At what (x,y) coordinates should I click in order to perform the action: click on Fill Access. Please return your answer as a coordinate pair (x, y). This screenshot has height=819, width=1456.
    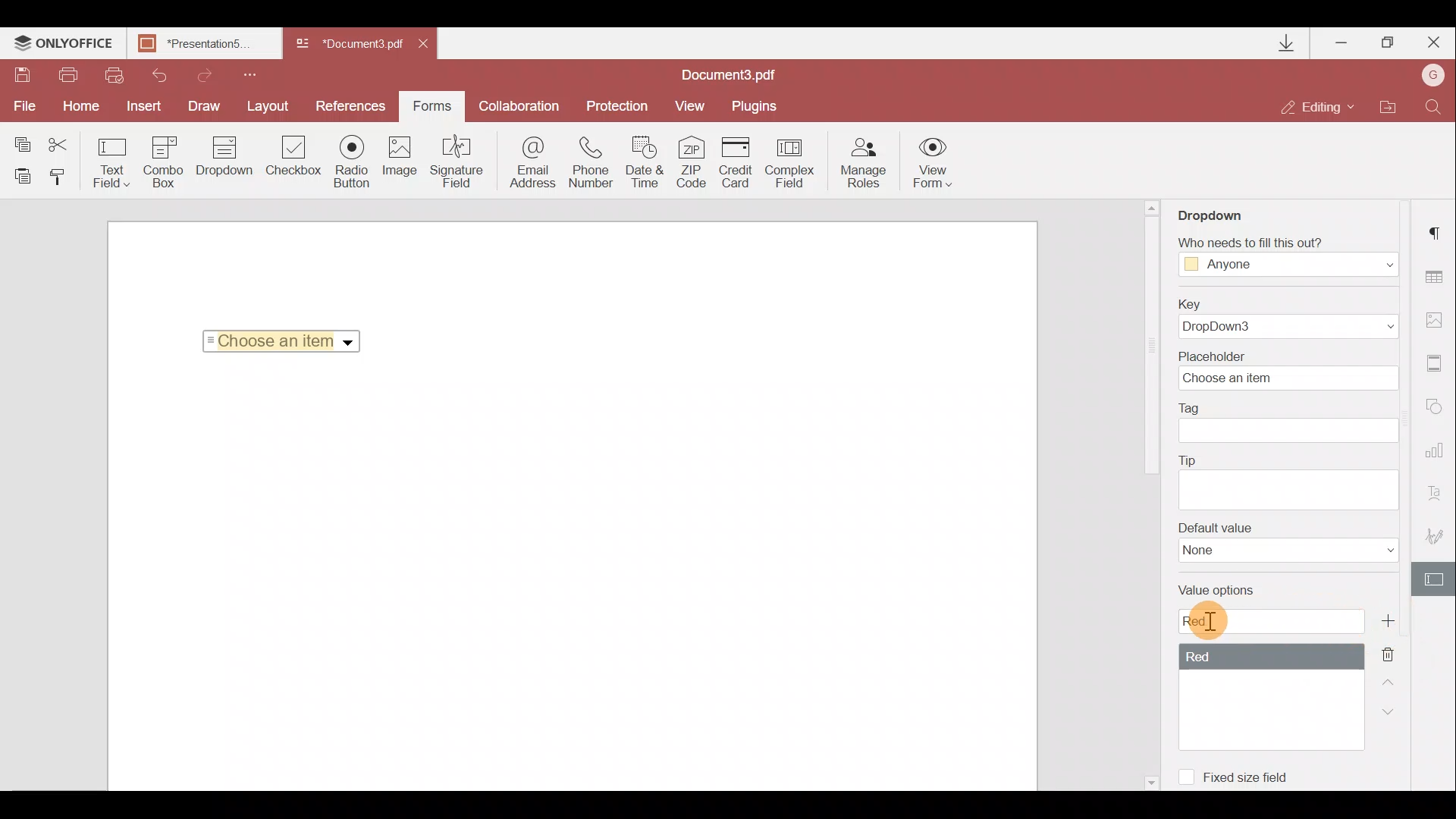
    Looking at the image, I should click on (1285, 257).